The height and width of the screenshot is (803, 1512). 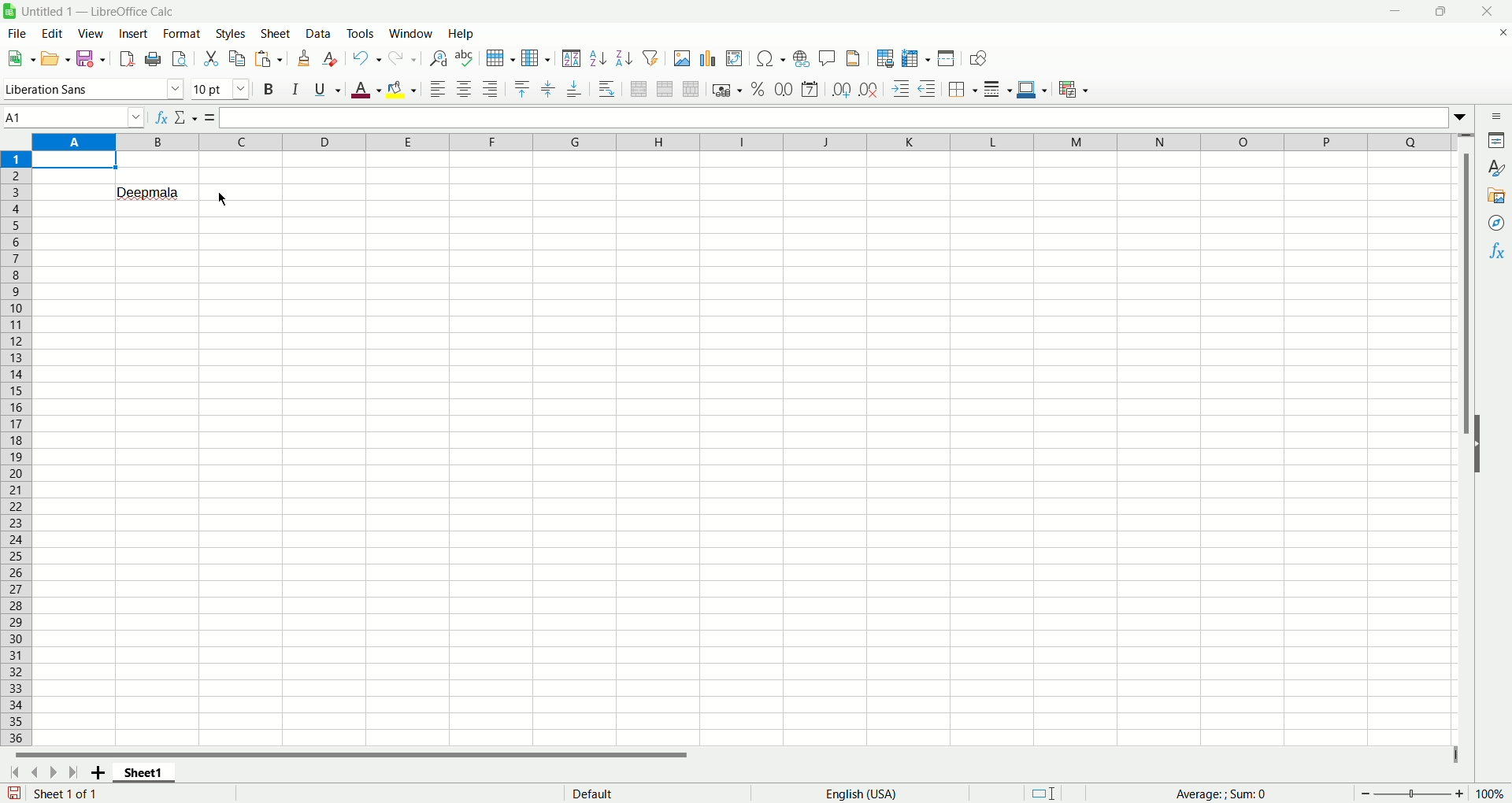 What do you see at coordinates (928, 88) in the screenshot?
I see `Decrease indent` at bounding box center [928, 88].